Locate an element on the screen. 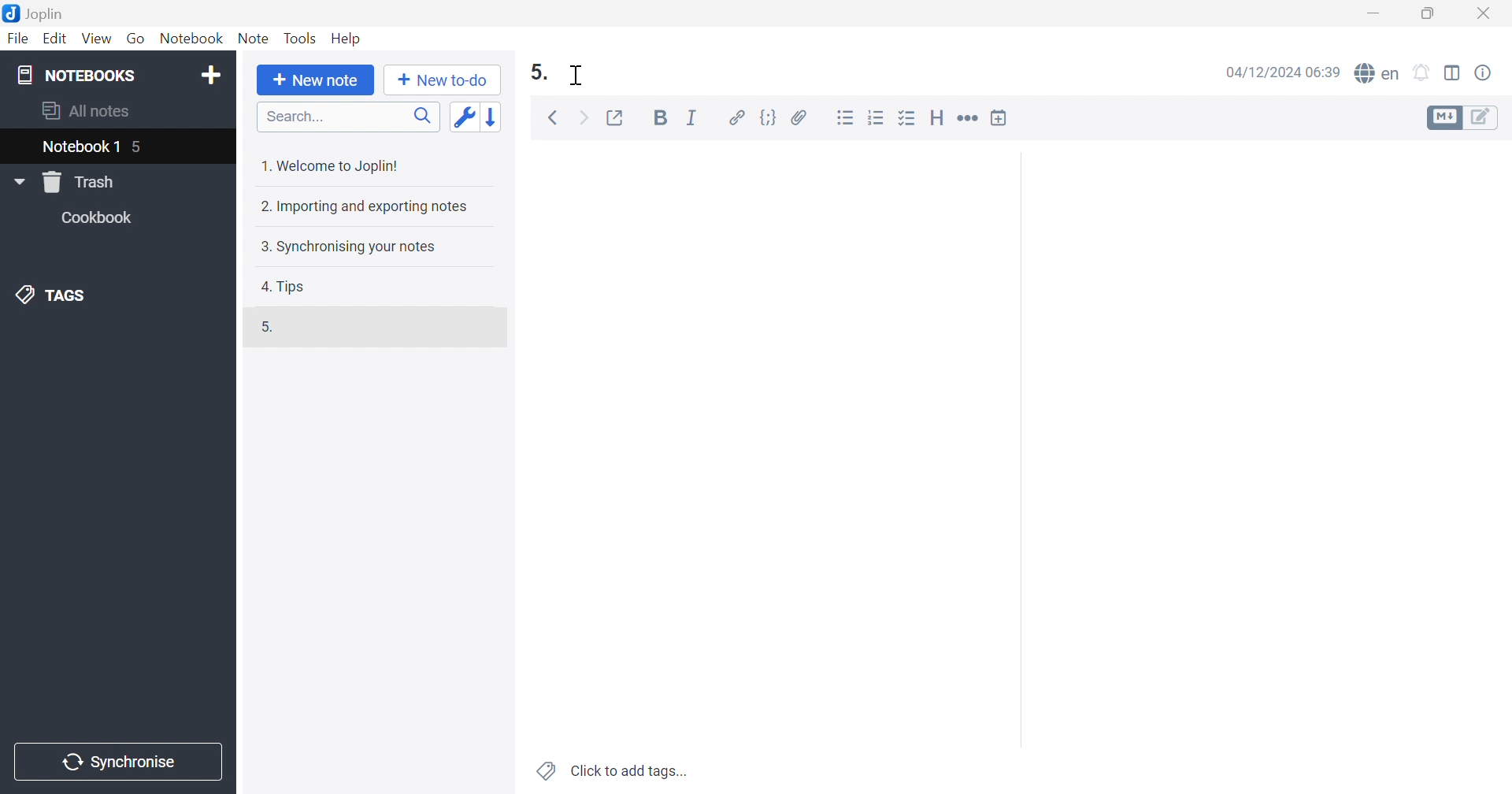 The image size is (1512, 794). Drop Down is located at coordinates (18, 181).